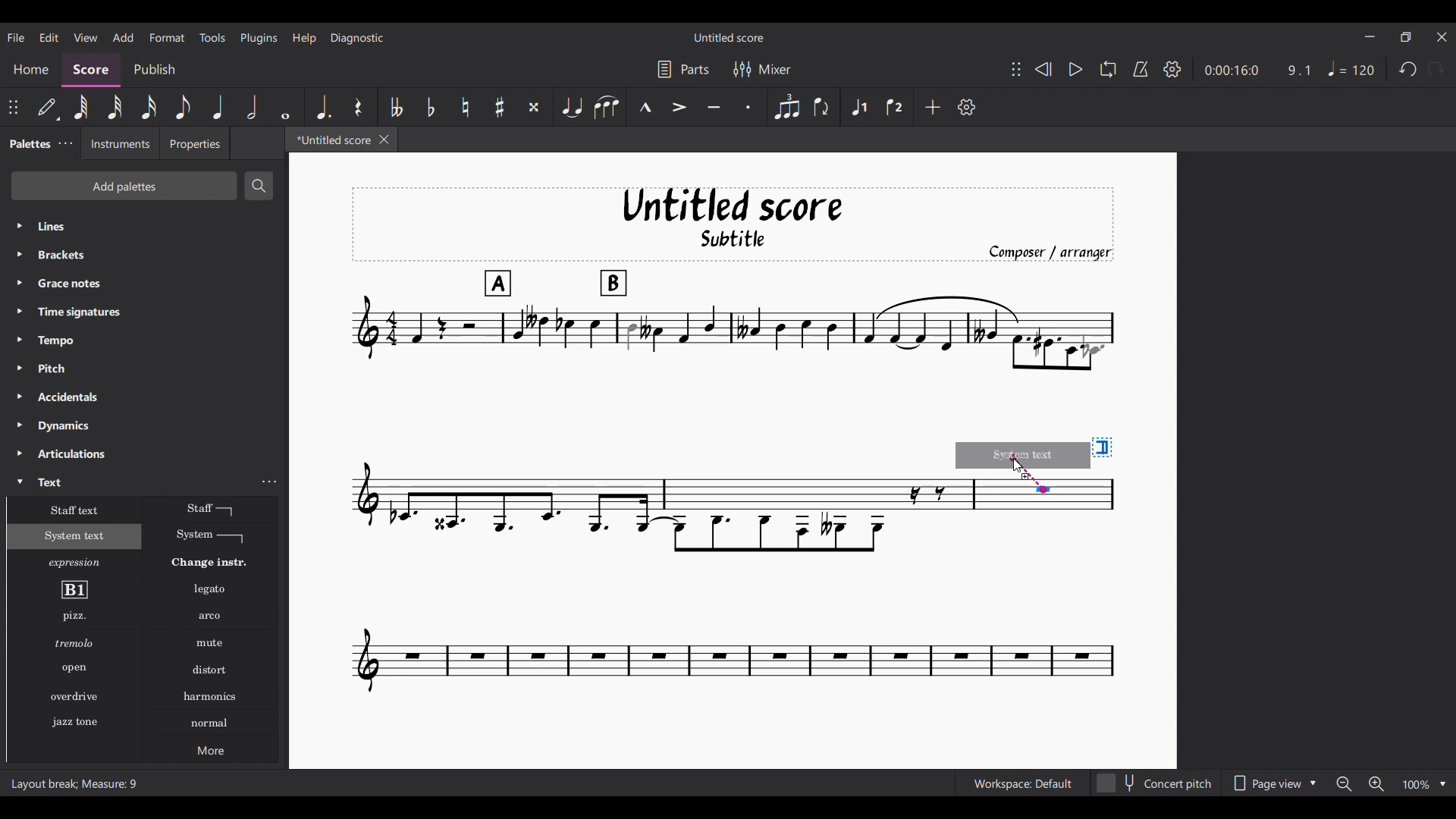 This screenshot has width=1456, height=819. What do you see at coordinates (1023, 783) in the screenshot?
I see `Workspace: Default` at bounding box center [1023, 783].